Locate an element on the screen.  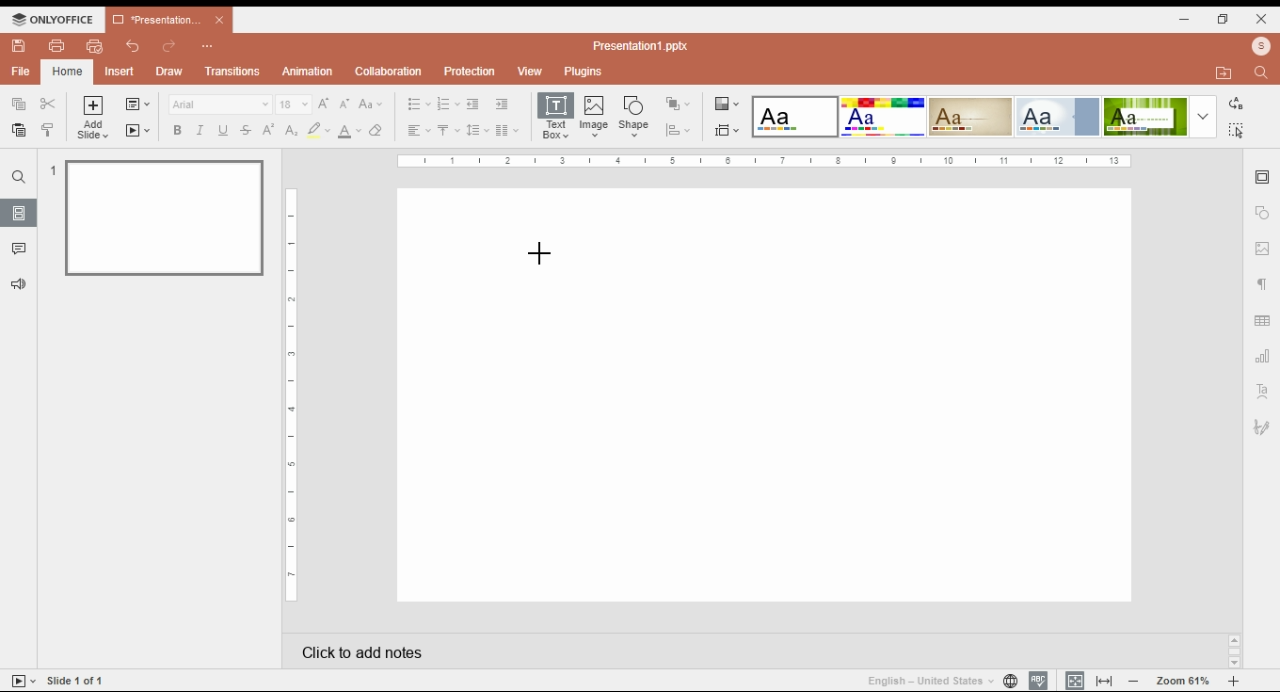
decrease indent is located at coordinates (473, 104).